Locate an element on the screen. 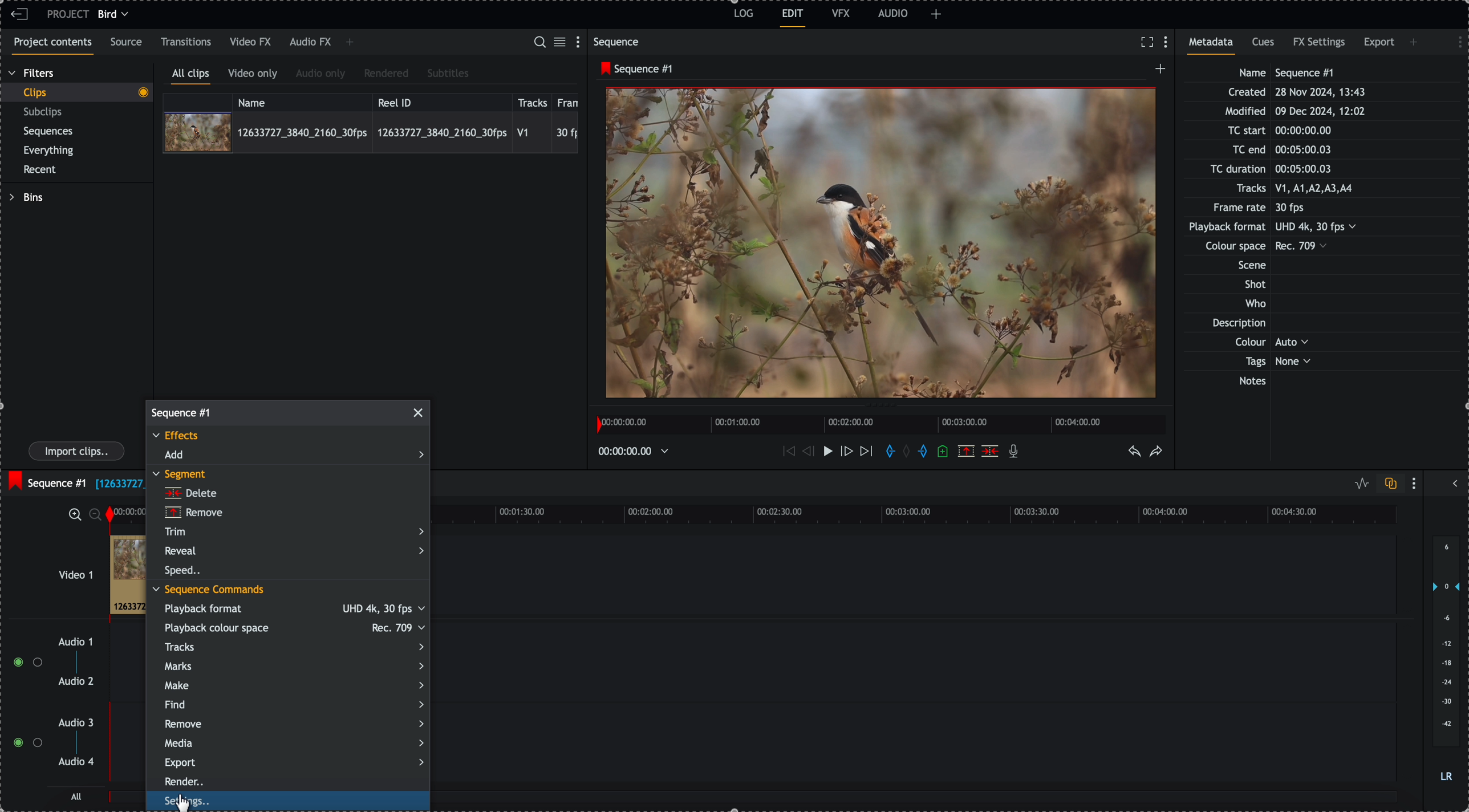  track audio is located at coordinates (128, 667).